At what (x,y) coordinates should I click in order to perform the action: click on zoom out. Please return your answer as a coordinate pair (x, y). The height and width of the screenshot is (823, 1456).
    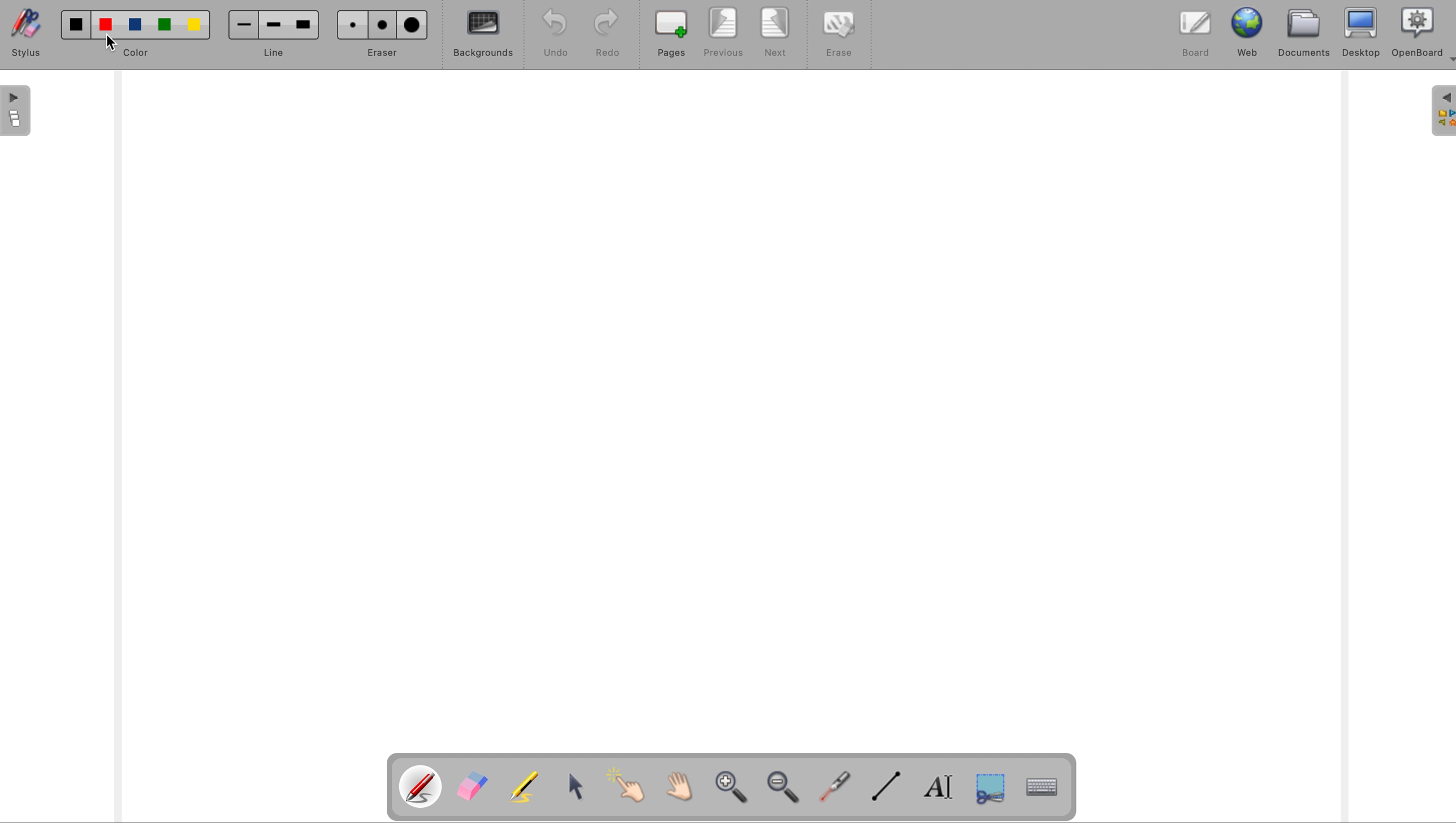
    Looking at the image, I should click on (787, 789).